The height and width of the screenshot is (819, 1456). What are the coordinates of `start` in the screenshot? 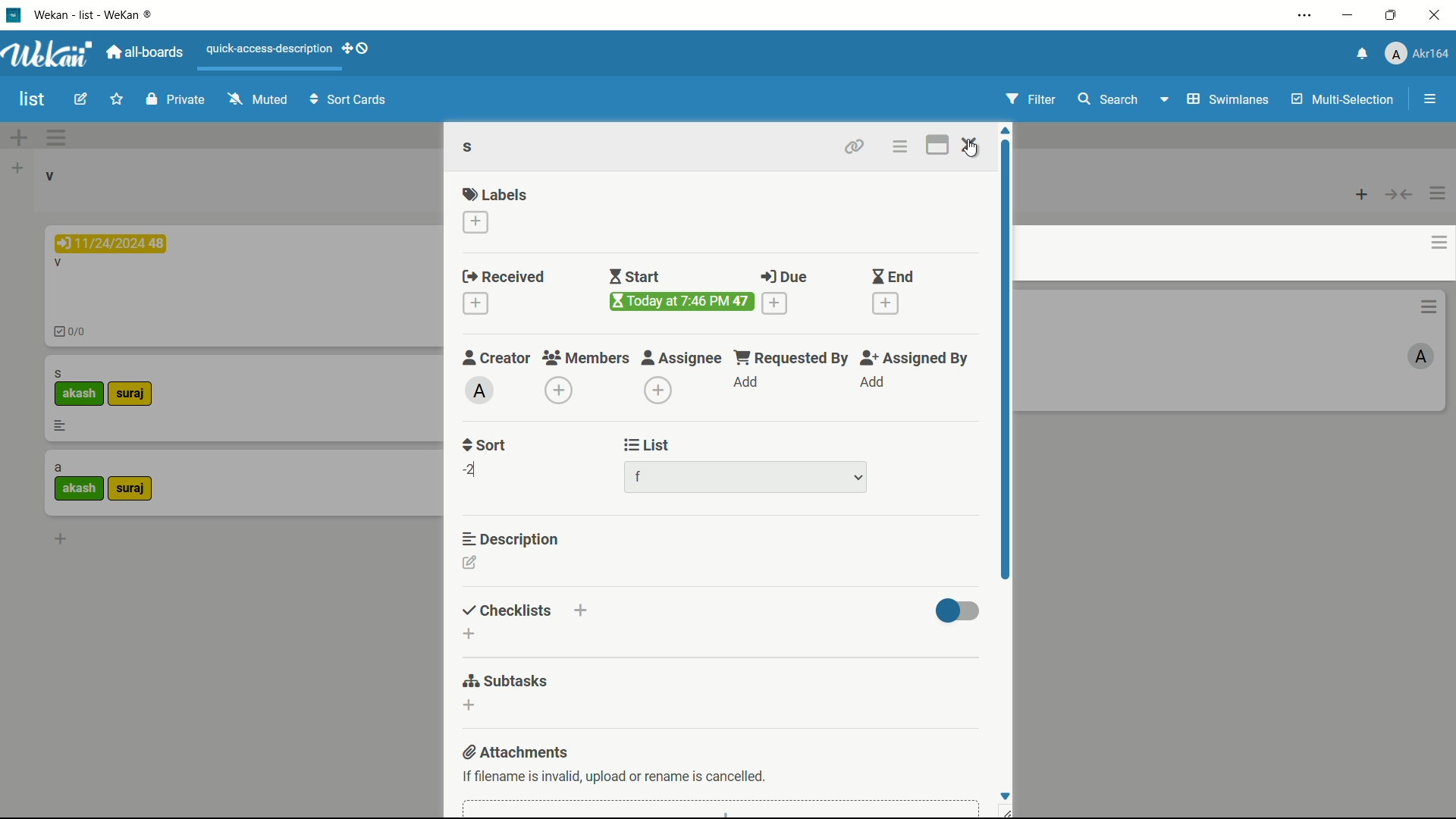 It's located at (638, 277).